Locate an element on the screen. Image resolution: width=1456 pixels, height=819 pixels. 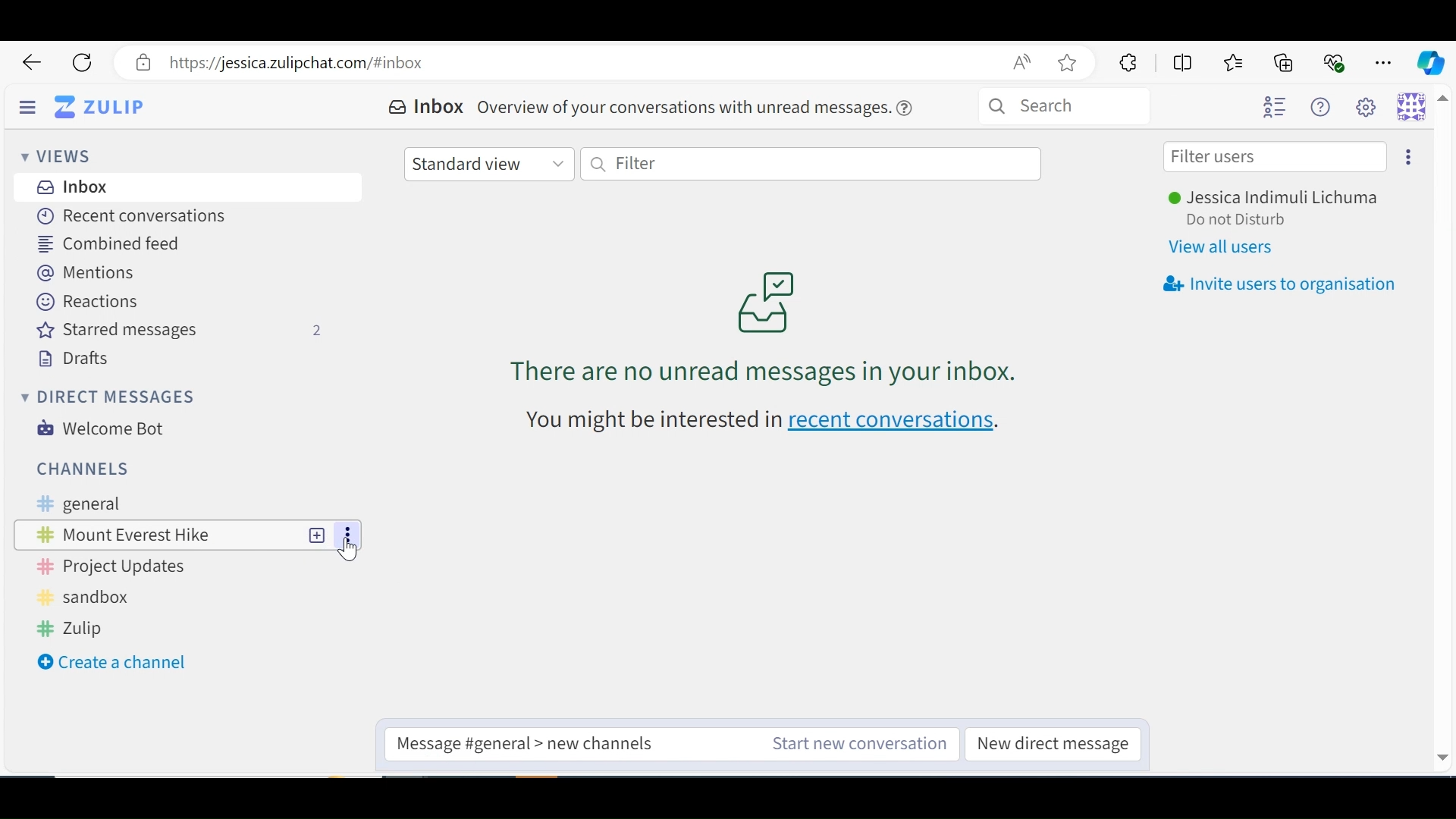
Reload is located at coordinates (83, 63).